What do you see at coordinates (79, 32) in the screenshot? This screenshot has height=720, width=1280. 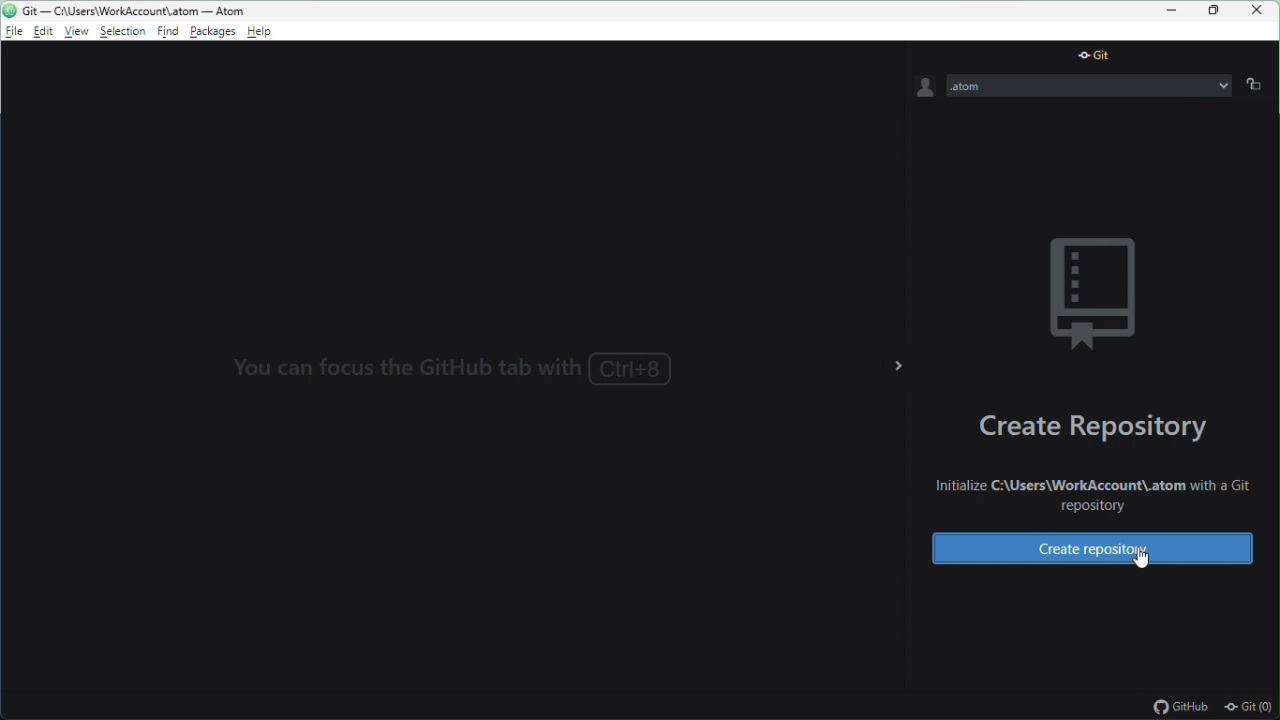 I see `view` at bounding box center [79, 32].